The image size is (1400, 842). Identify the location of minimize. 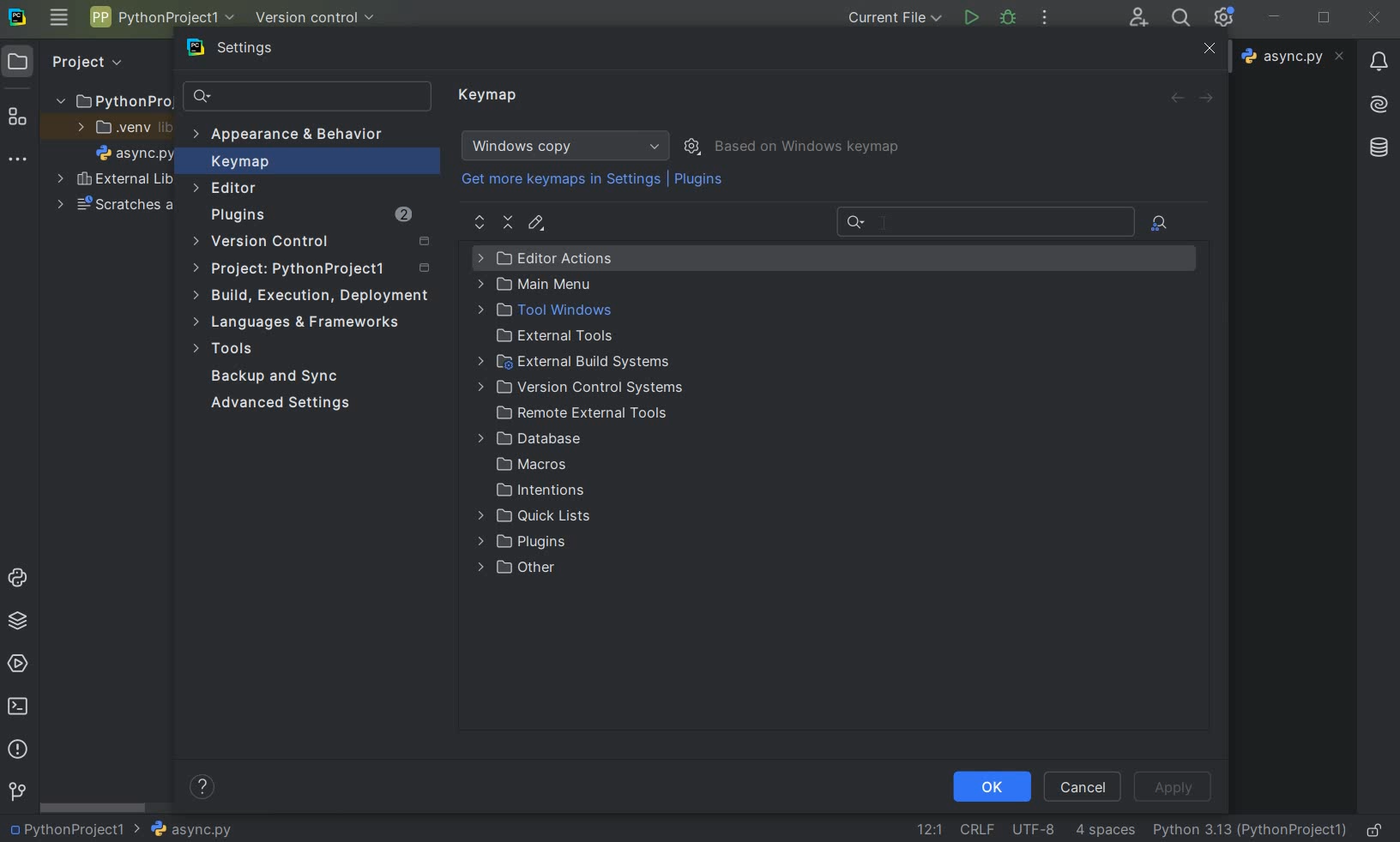
(1275, 16).